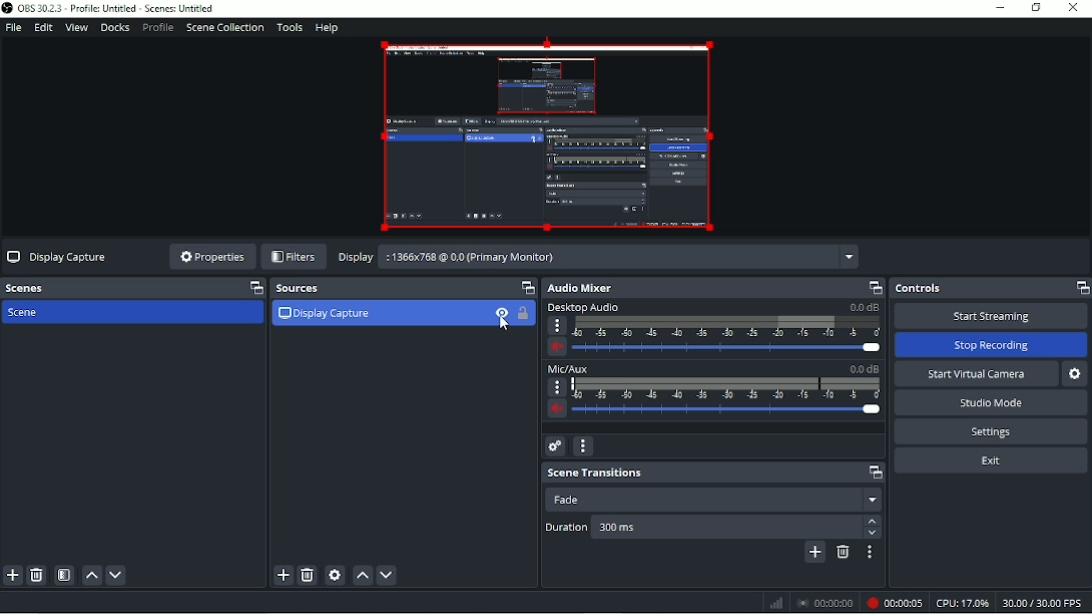 This screenshot has width=1092, height=614. What do you see at coordinates (283, 576) in the screenshot?
I see `Add source` at bounding box center [283, 576].